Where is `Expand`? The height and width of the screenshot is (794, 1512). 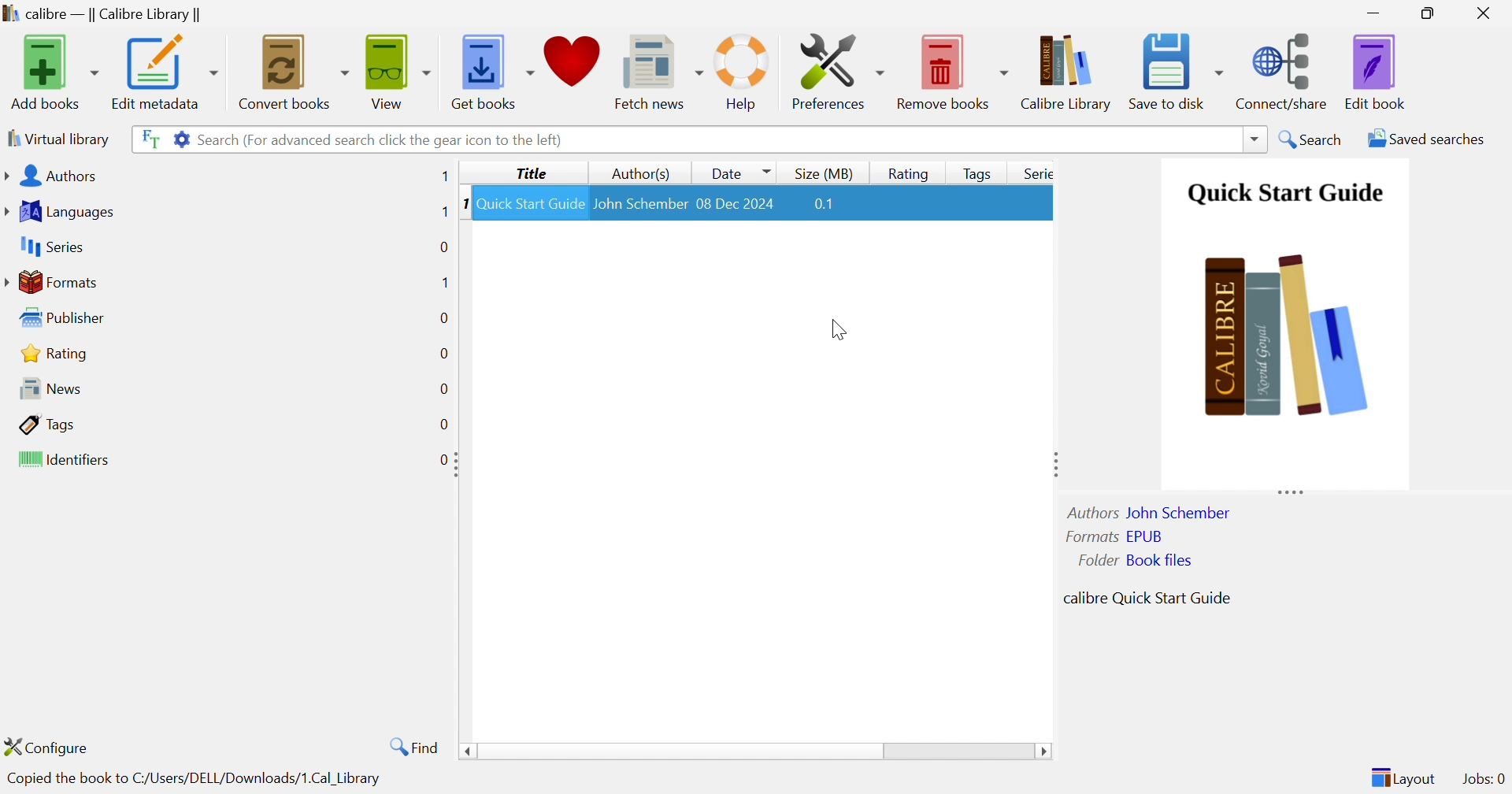
Expand is located at coordinates (1290, 492).